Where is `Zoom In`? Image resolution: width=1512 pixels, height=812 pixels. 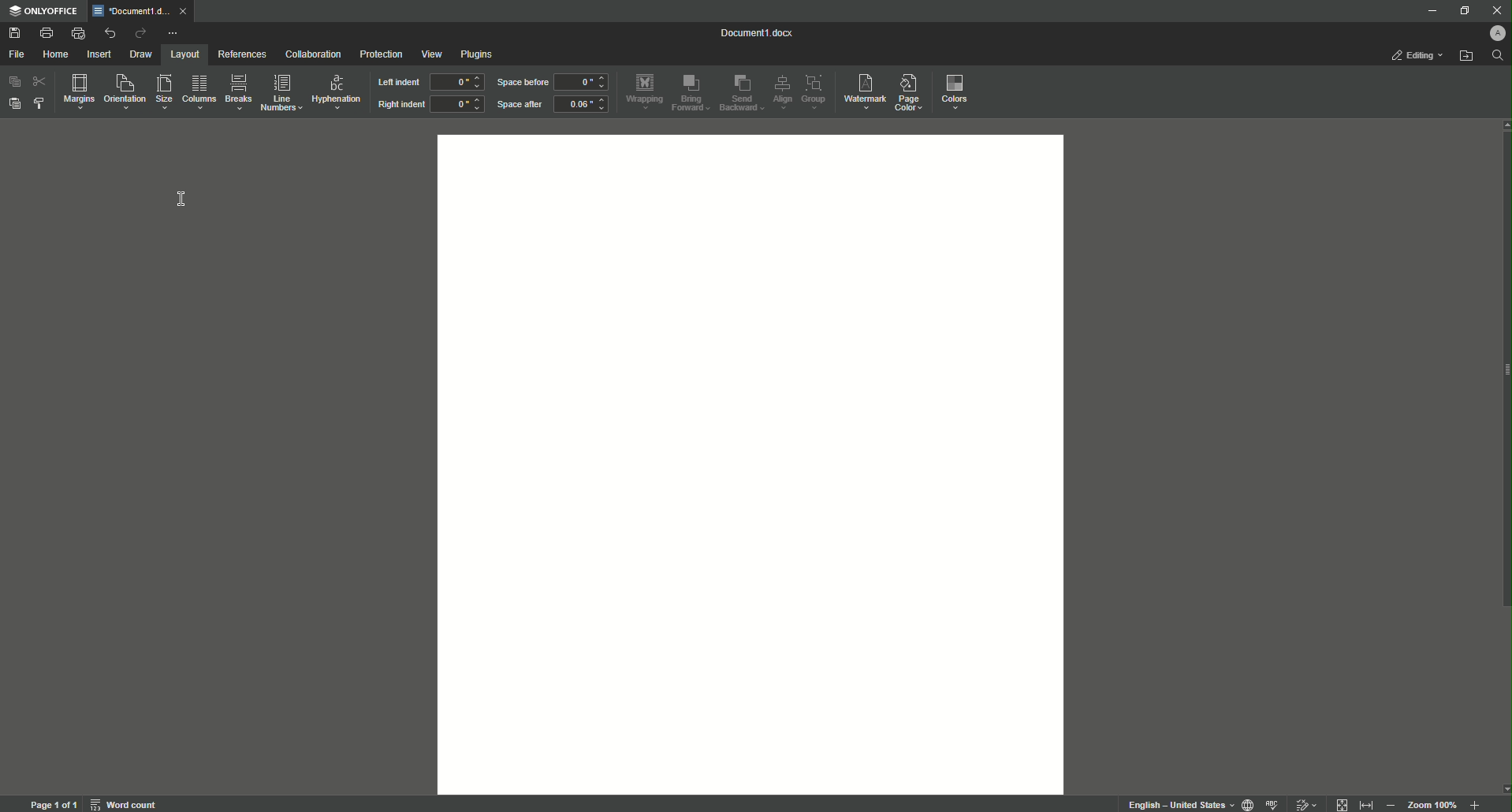
Zoom In is located at coordinates (1473, 803).